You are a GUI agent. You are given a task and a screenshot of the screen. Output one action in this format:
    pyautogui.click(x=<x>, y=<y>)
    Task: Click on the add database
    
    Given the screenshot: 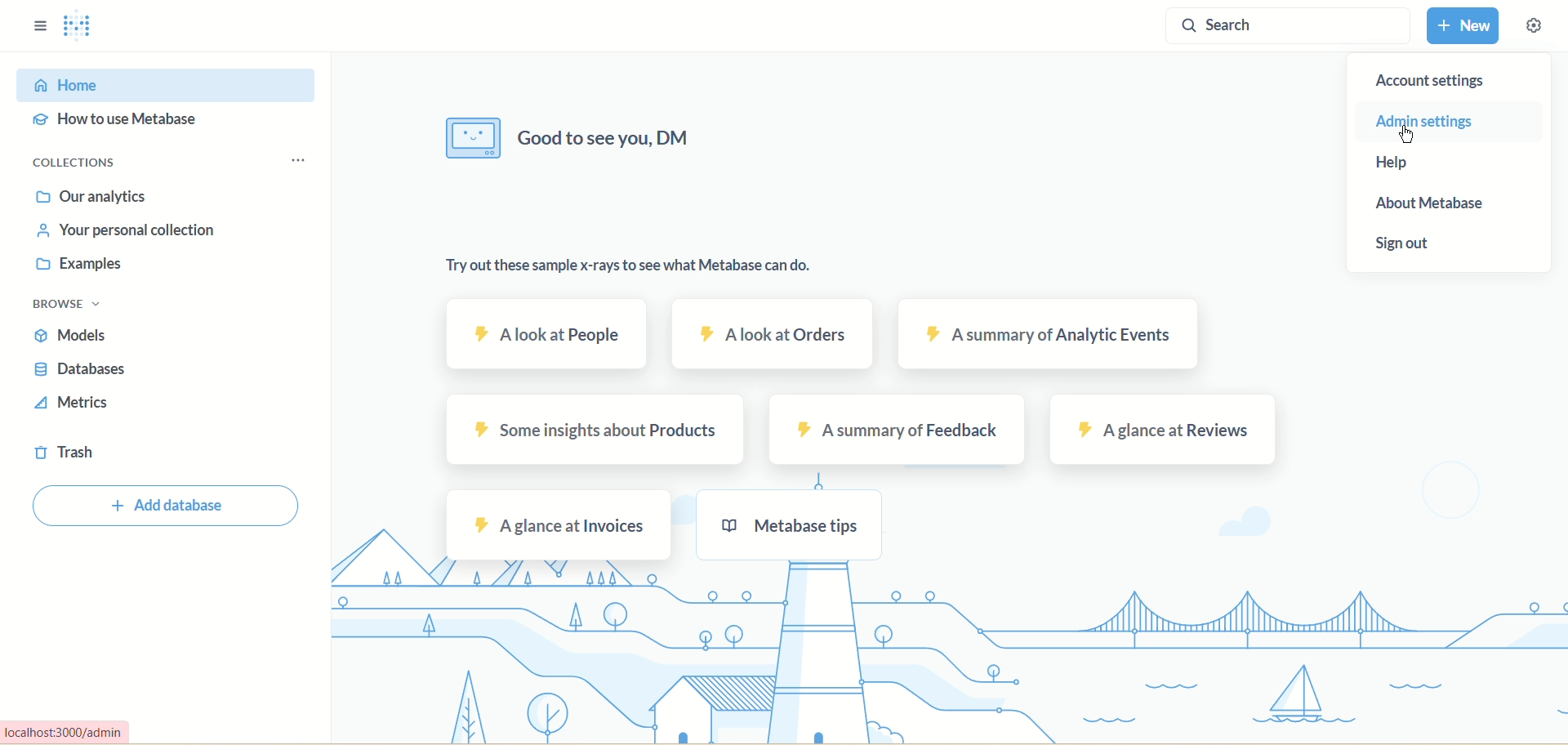 What is the action you would take?
    pyautogui.click(x=168, y=505)
    